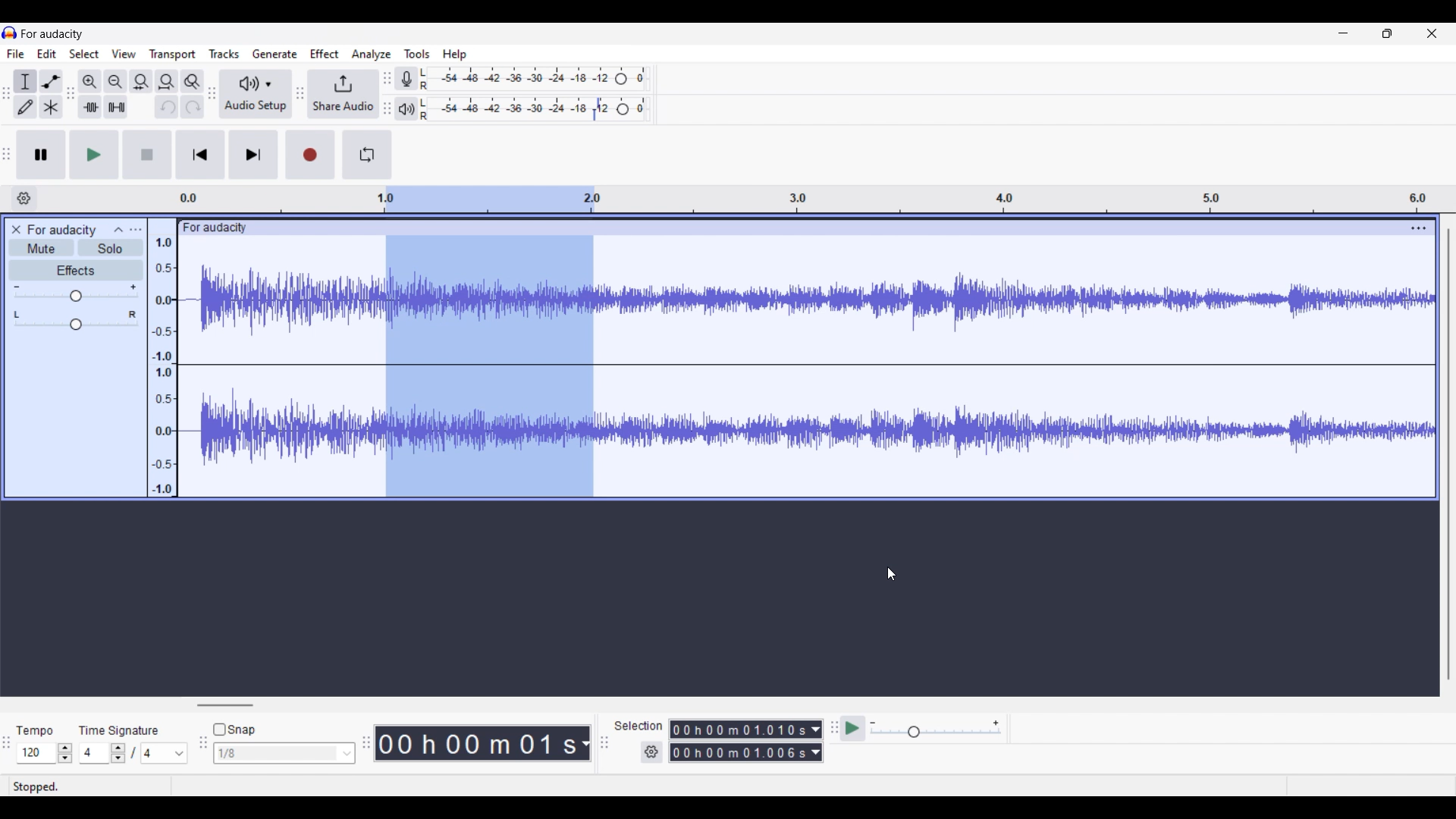  I want to click on Redo, so click(193, 107).